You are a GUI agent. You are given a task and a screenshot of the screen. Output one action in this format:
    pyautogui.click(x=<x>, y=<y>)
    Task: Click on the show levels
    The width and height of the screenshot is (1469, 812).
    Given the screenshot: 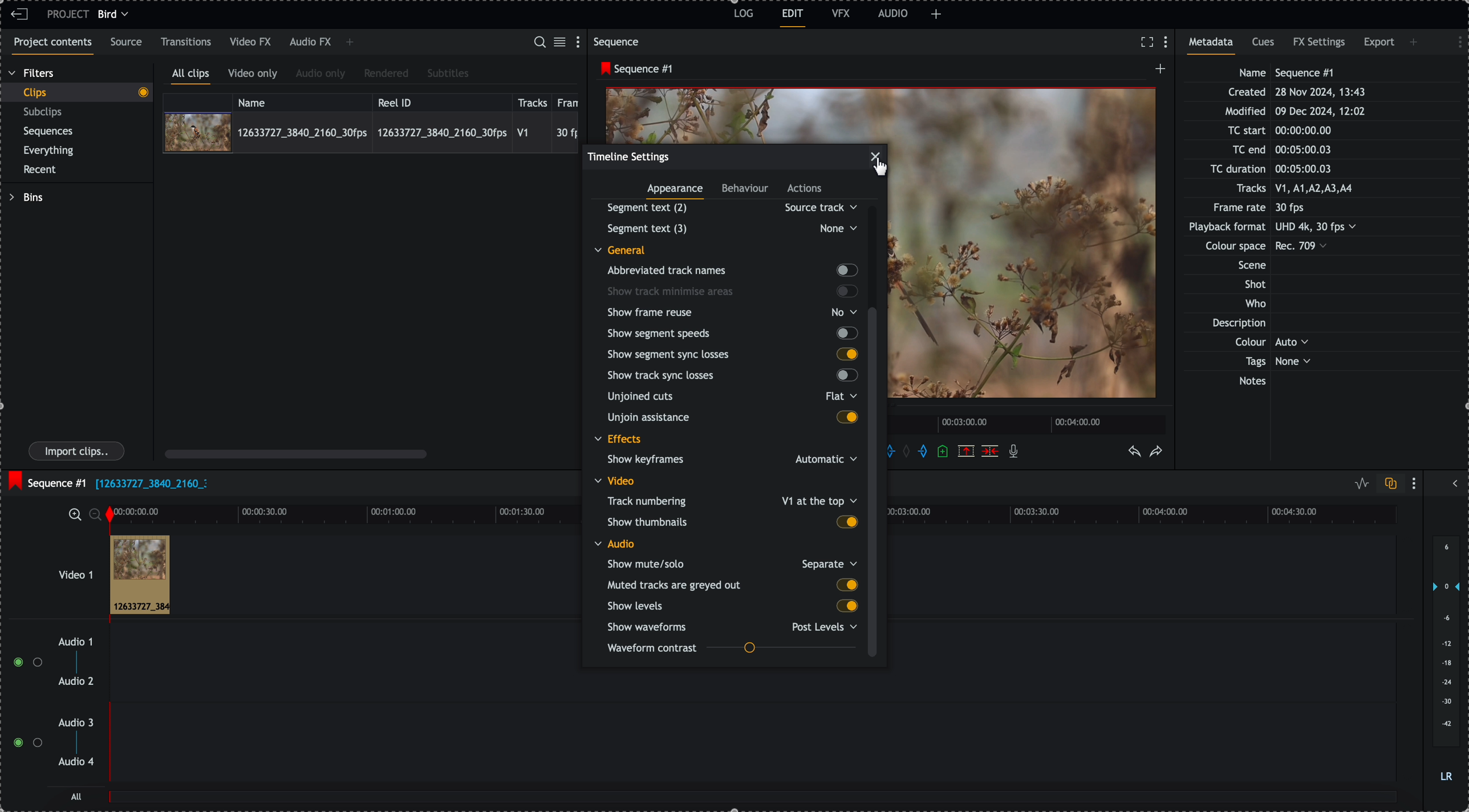 What is the action you would take?
    pyautogui.click(x=730, y=606)
    